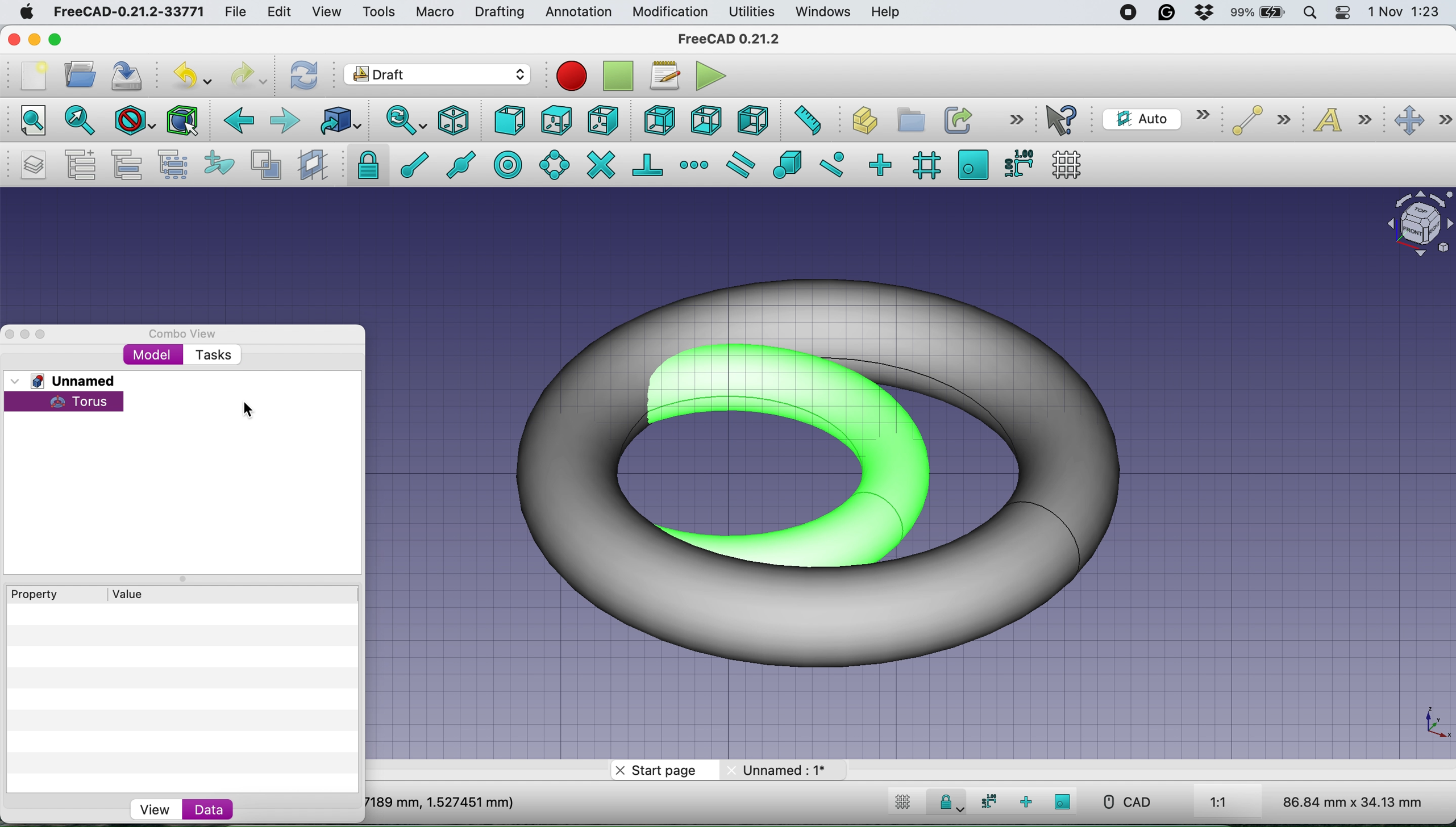 The image size is (1456, 827). I want to click on Toggle Floating Window, so click(27, 335).